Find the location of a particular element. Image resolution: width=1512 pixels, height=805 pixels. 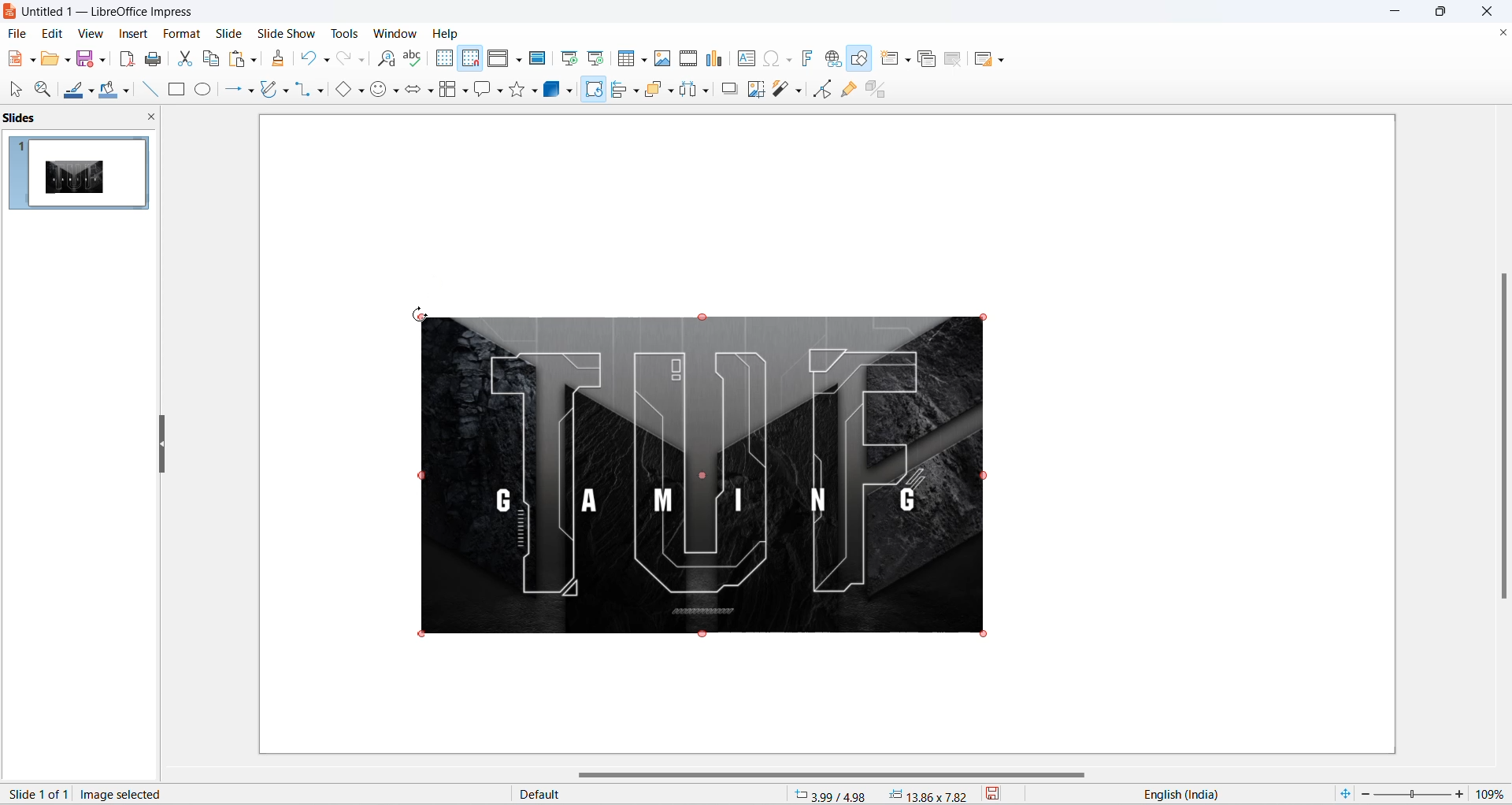

draw shapes  is located at coordinates (861, 59).